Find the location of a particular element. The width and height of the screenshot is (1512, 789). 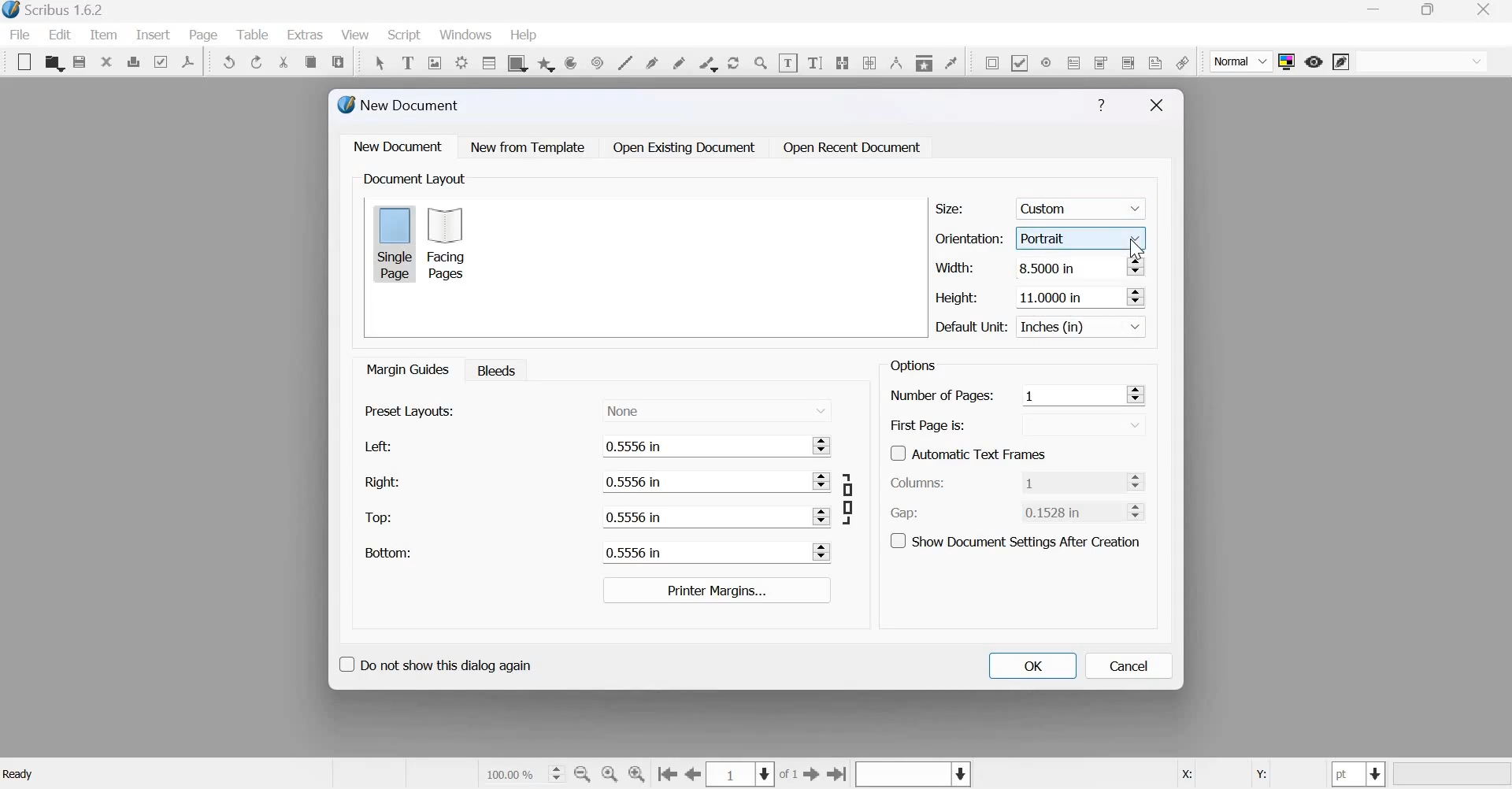

Edit is located at coordinates (60, 35).